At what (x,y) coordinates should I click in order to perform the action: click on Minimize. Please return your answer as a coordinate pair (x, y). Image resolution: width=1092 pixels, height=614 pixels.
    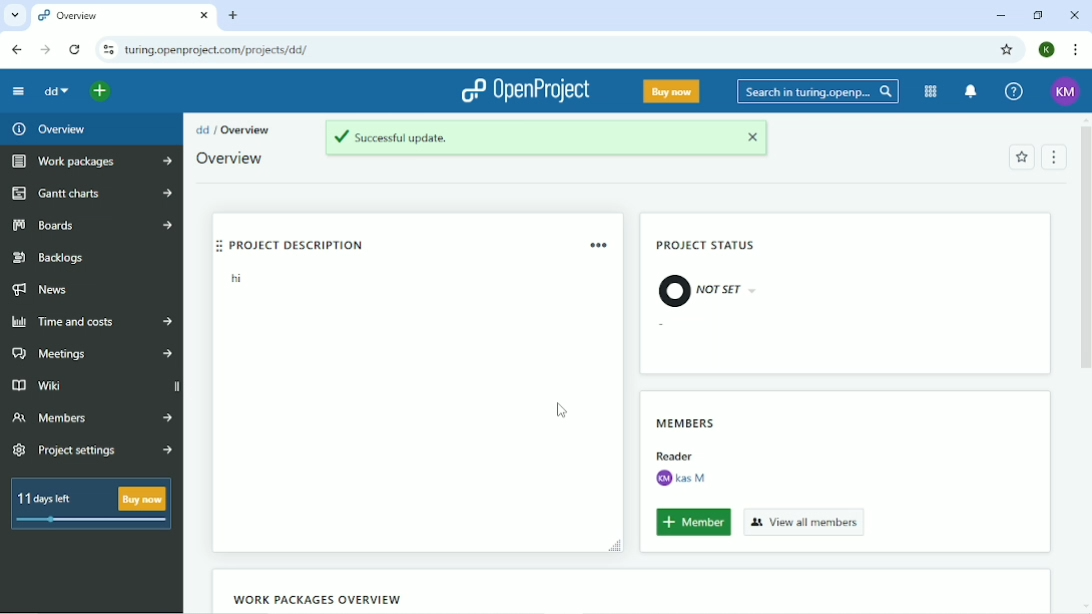
    Looking at the image, I should click on (999, 17).